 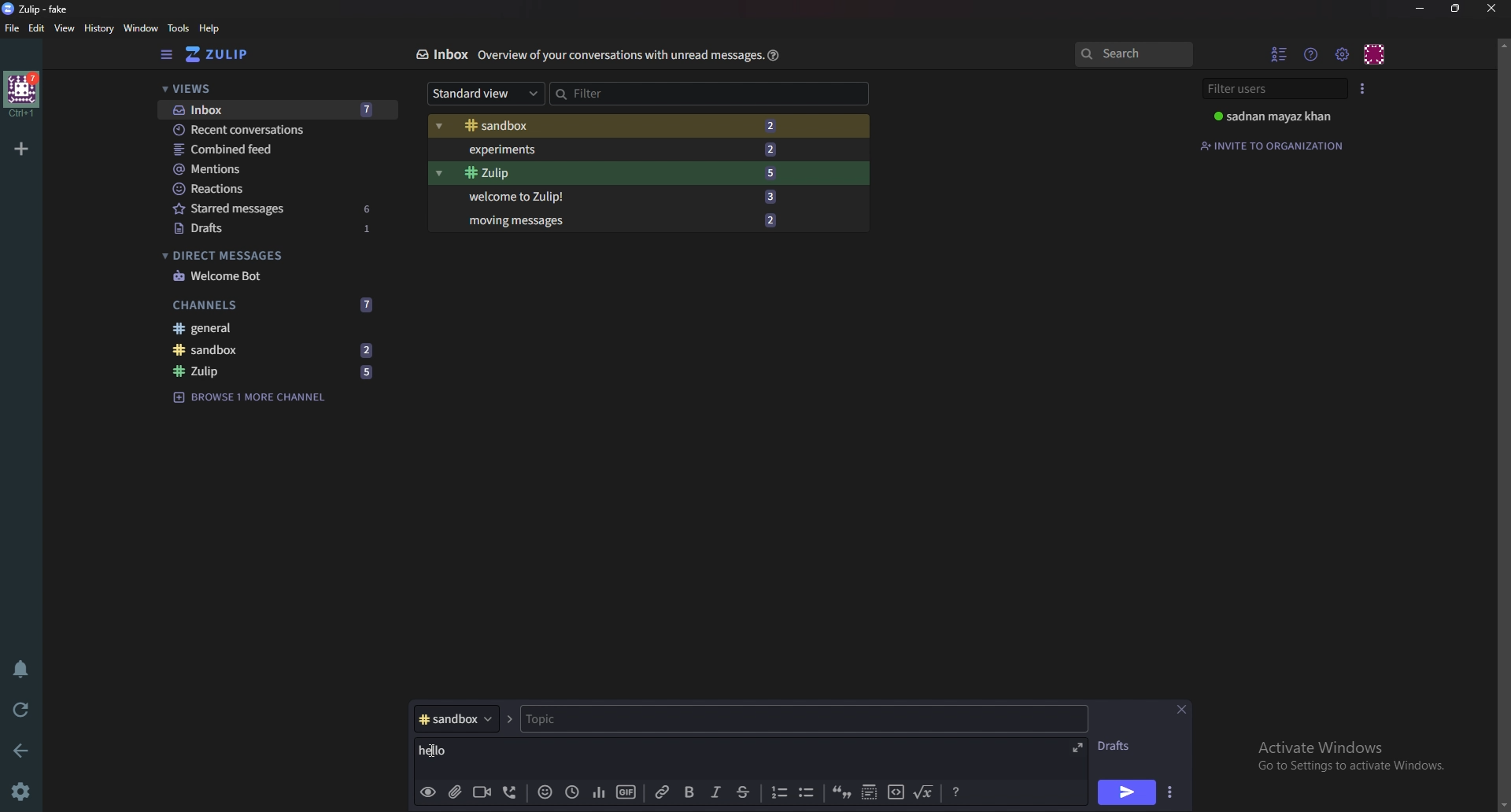 I want to click on main menu, so click(x=1343, y=54).